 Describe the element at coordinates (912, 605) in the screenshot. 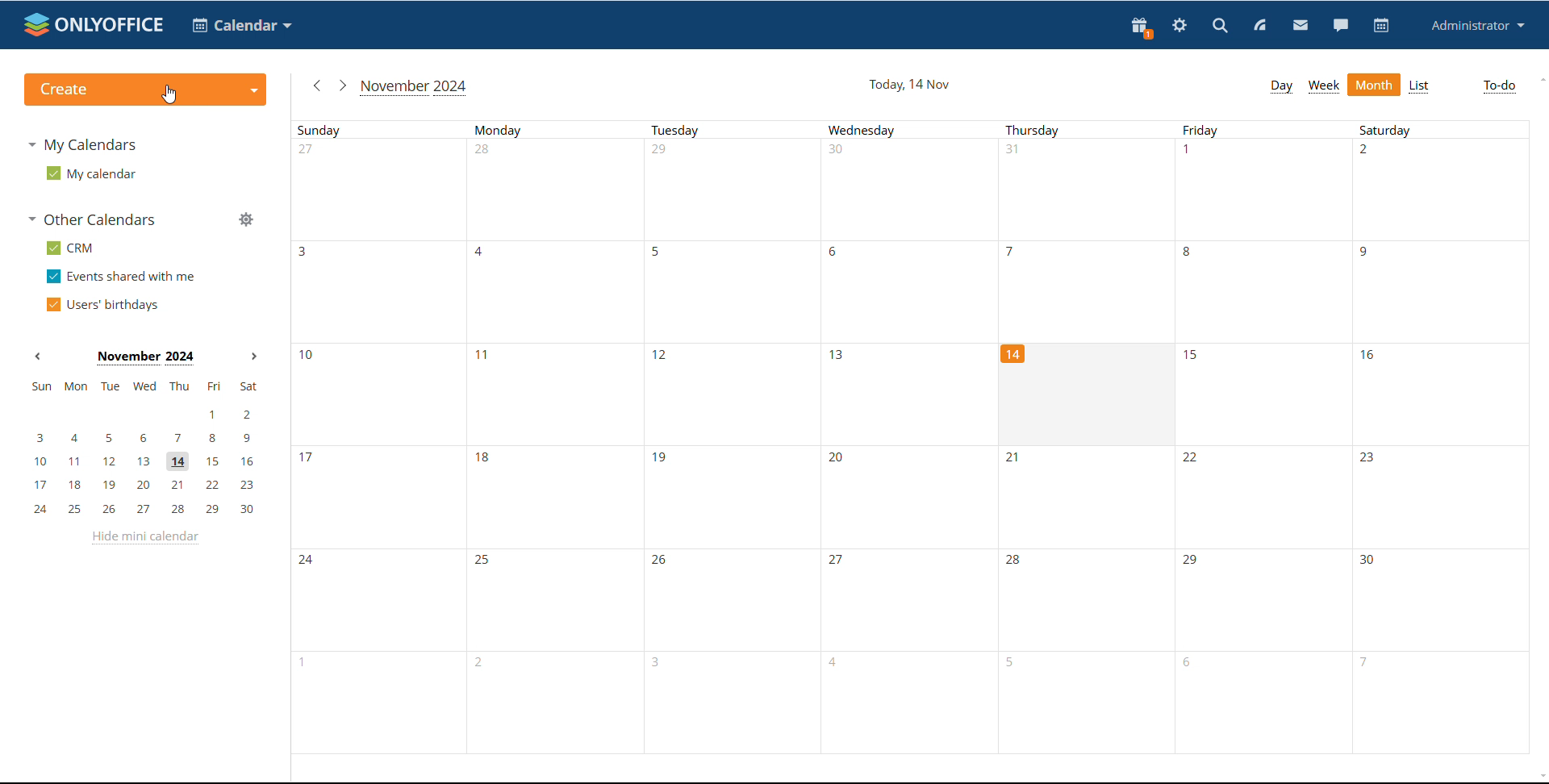

I see `Different dates of the month` at that location.